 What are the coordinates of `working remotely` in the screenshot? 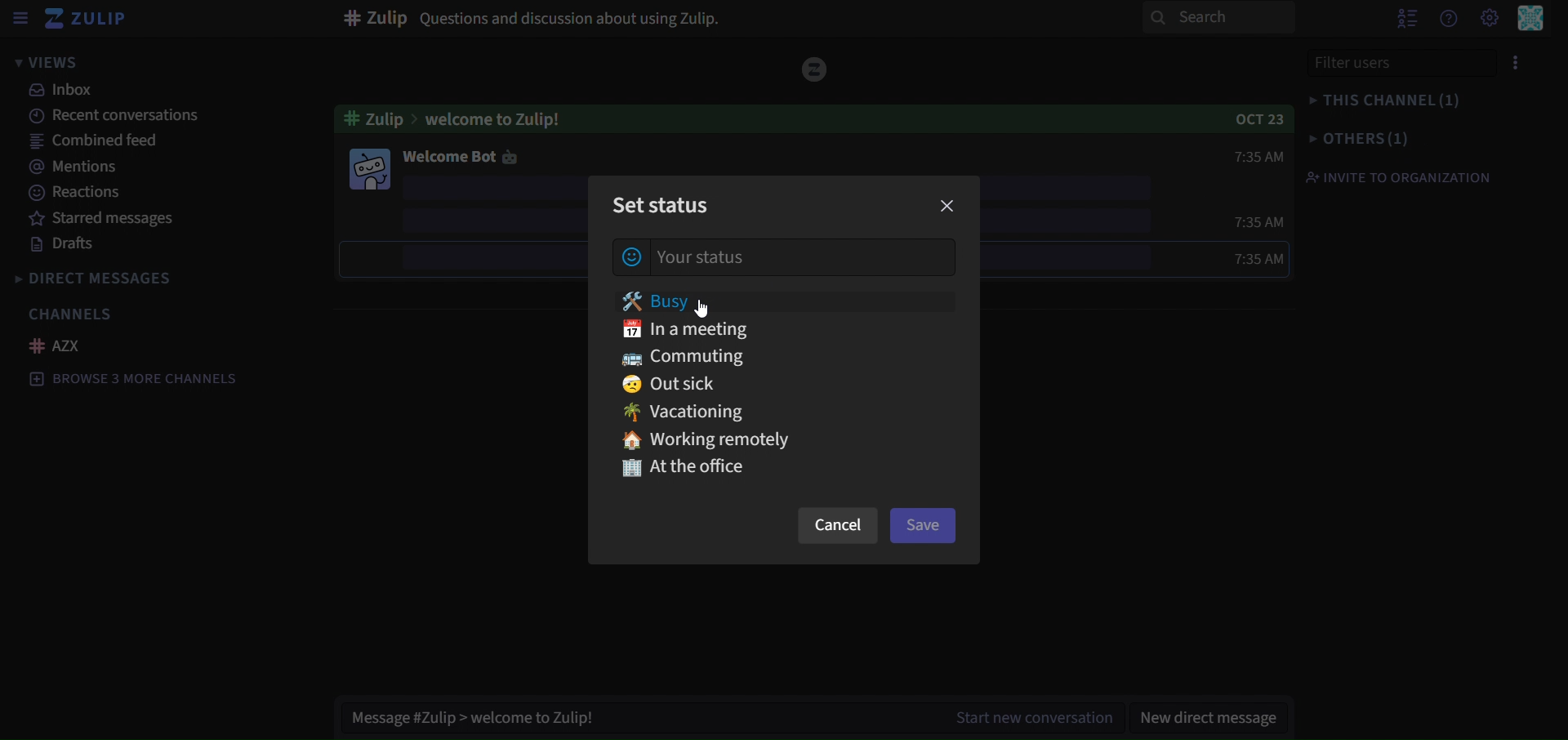 It's located at (727, 439).